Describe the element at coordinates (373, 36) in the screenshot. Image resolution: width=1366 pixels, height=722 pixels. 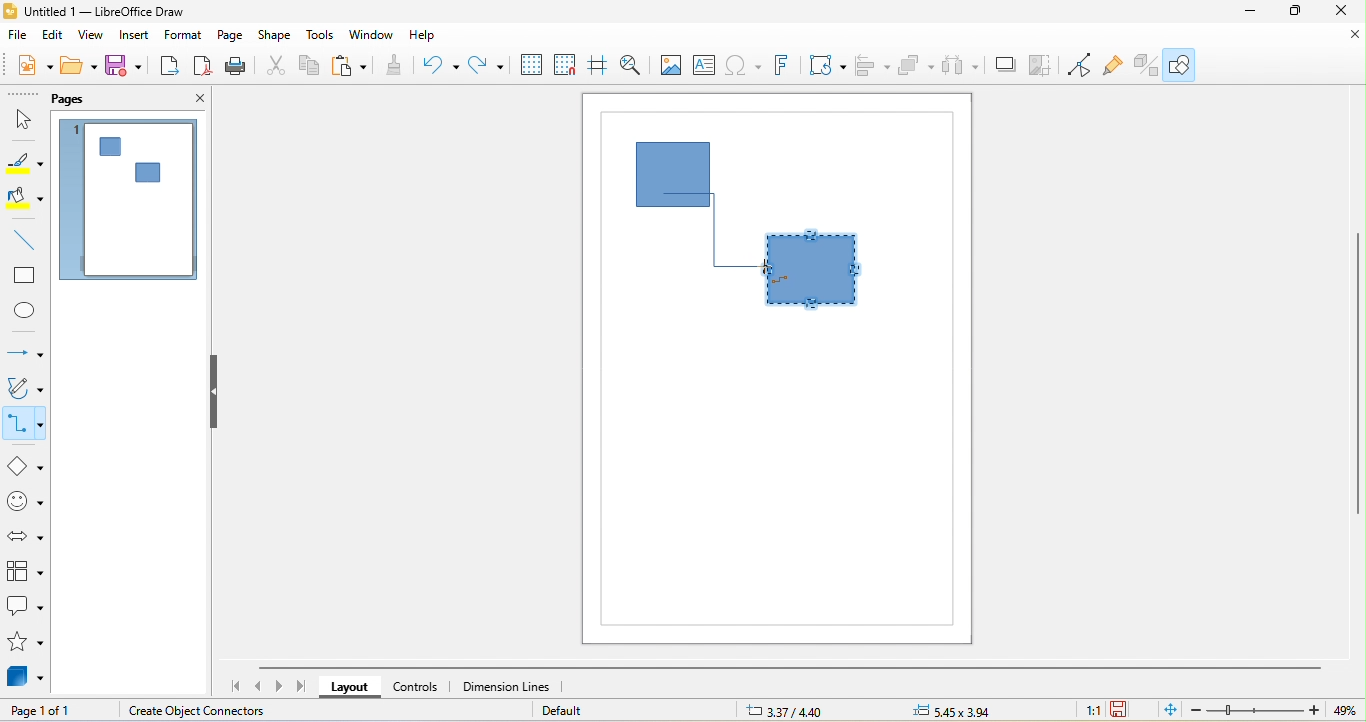
I see `window` at that location.